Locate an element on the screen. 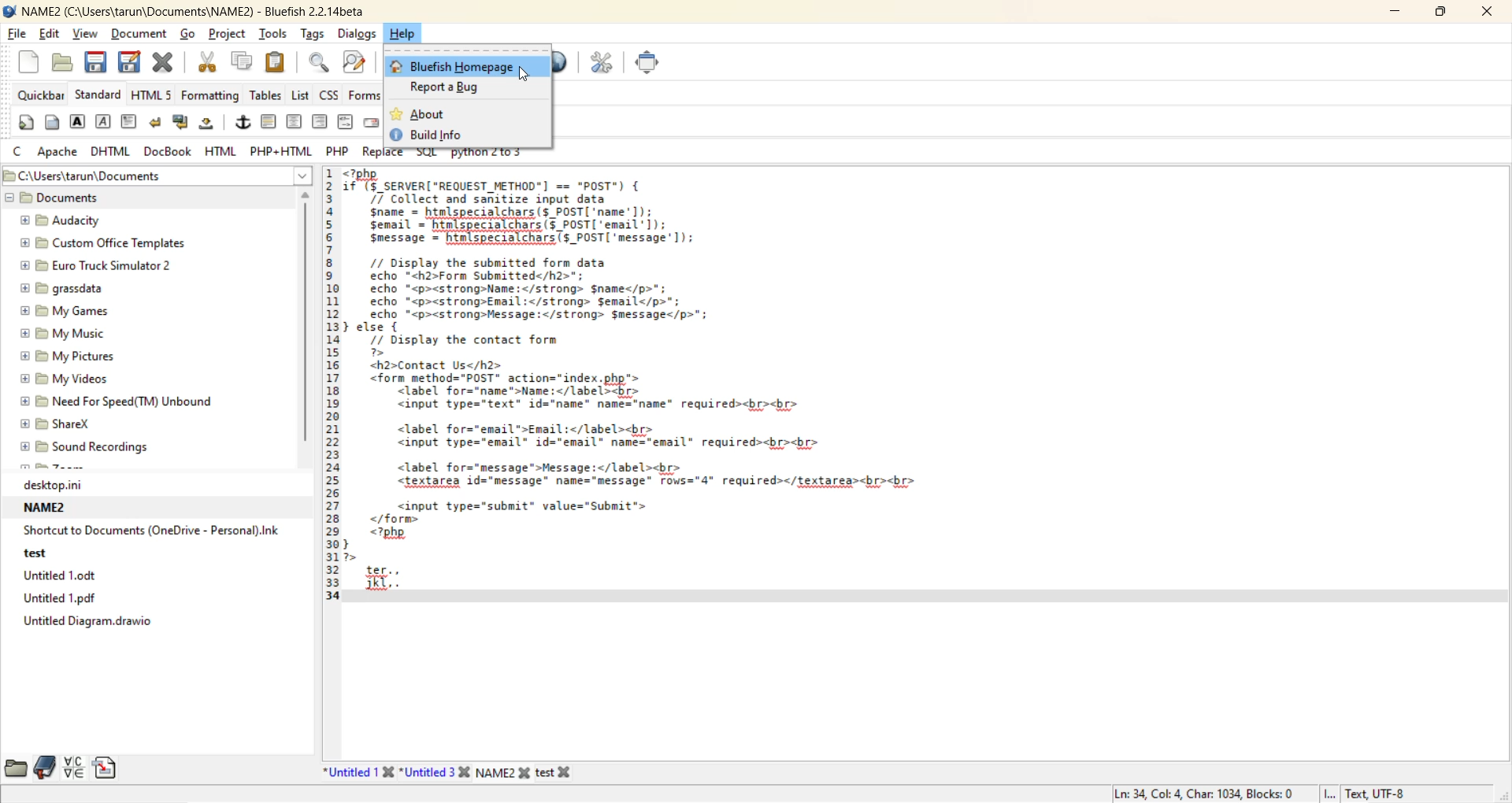 The image size is (1512, 803). tools is located at coordinates (273, 34).